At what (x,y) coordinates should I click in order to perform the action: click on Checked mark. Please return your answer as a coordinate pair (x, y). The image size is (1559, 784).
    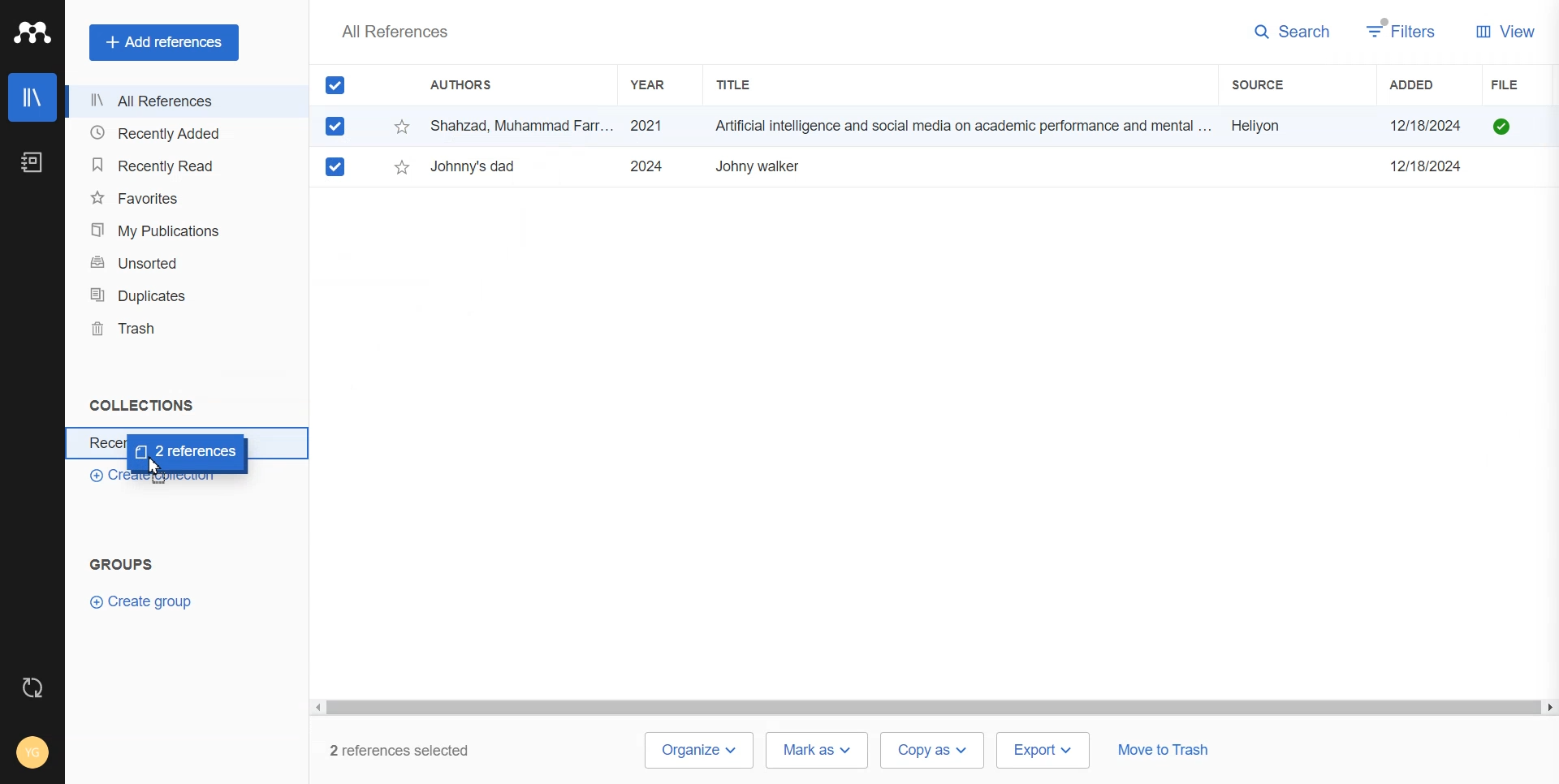
    Looking at the image, I should click on (336, 126).